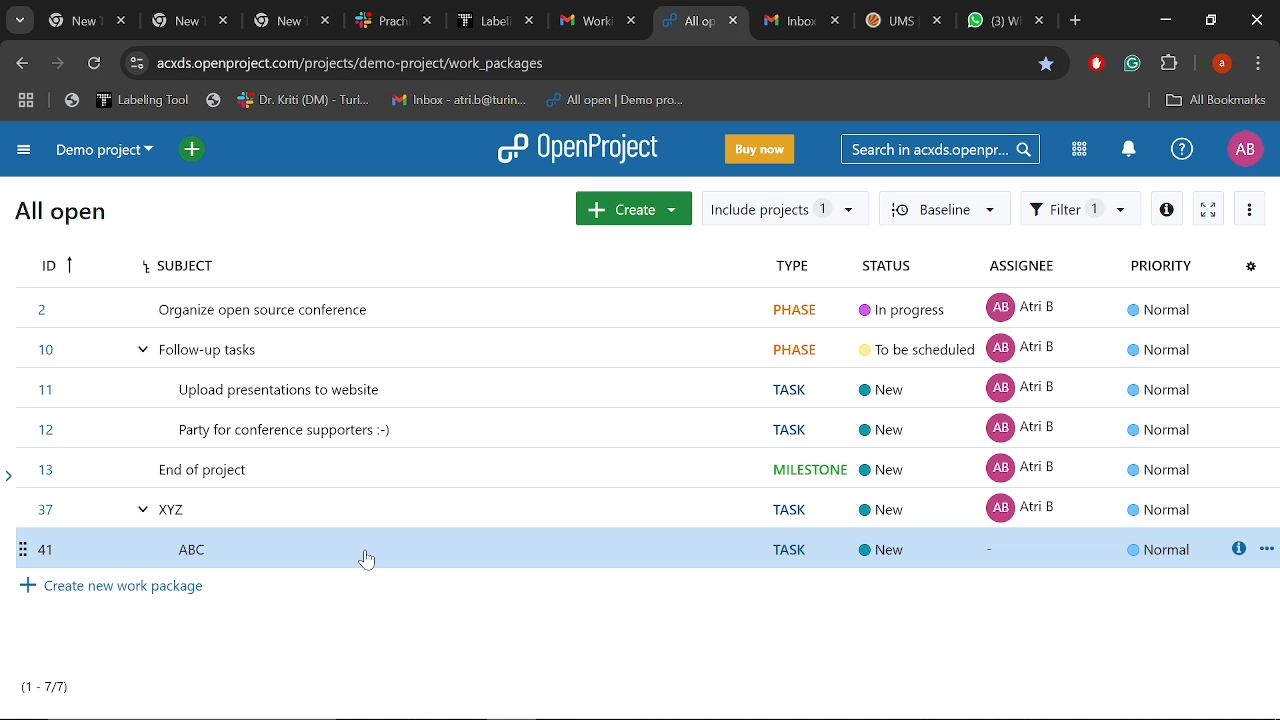  What do you see at coordinates (1215, 101) in the screenshot?
I see `All bookmarks` at bounding box center [1215, 101].